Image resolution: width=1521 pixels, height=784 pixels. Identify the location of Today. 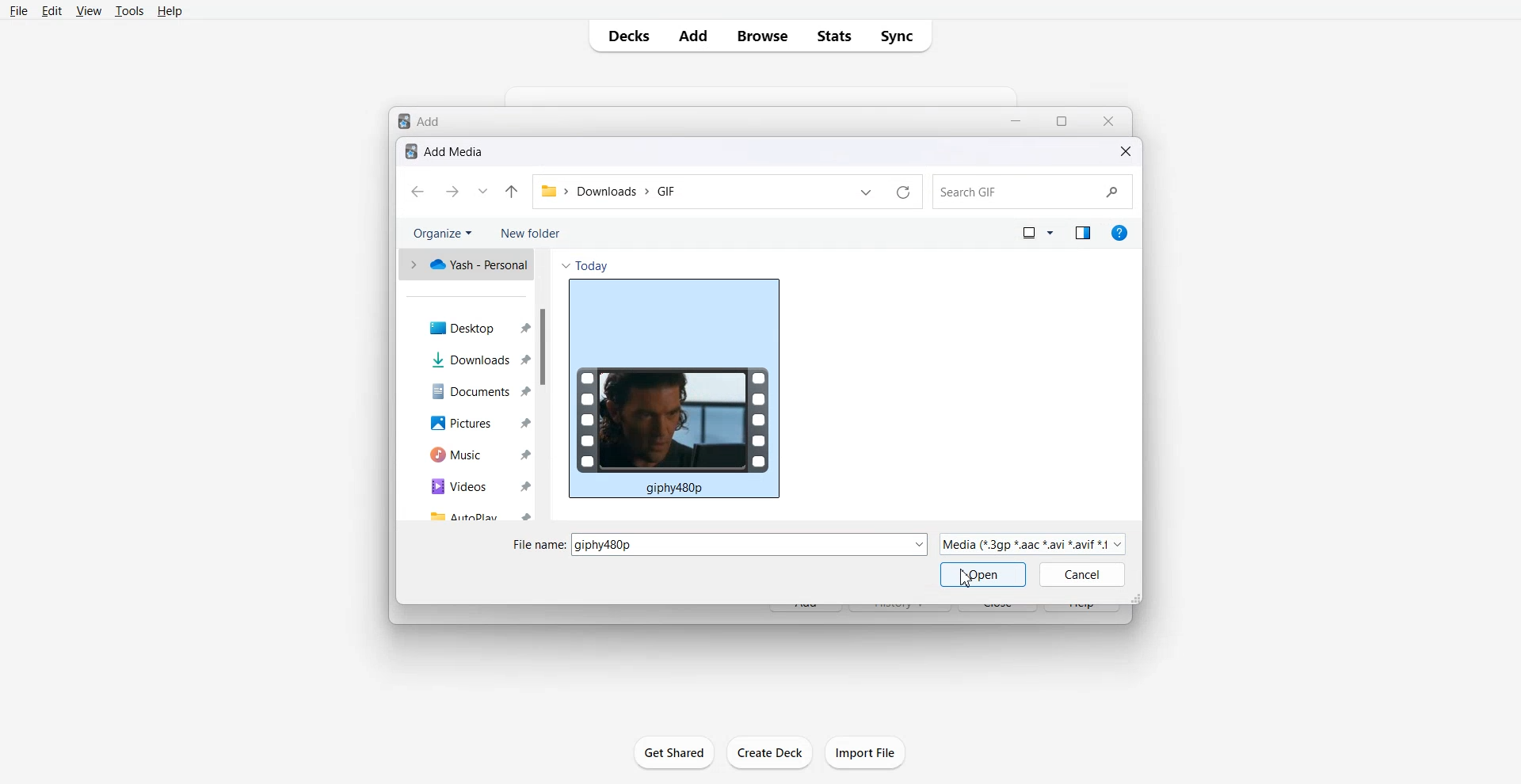
(584, 264).